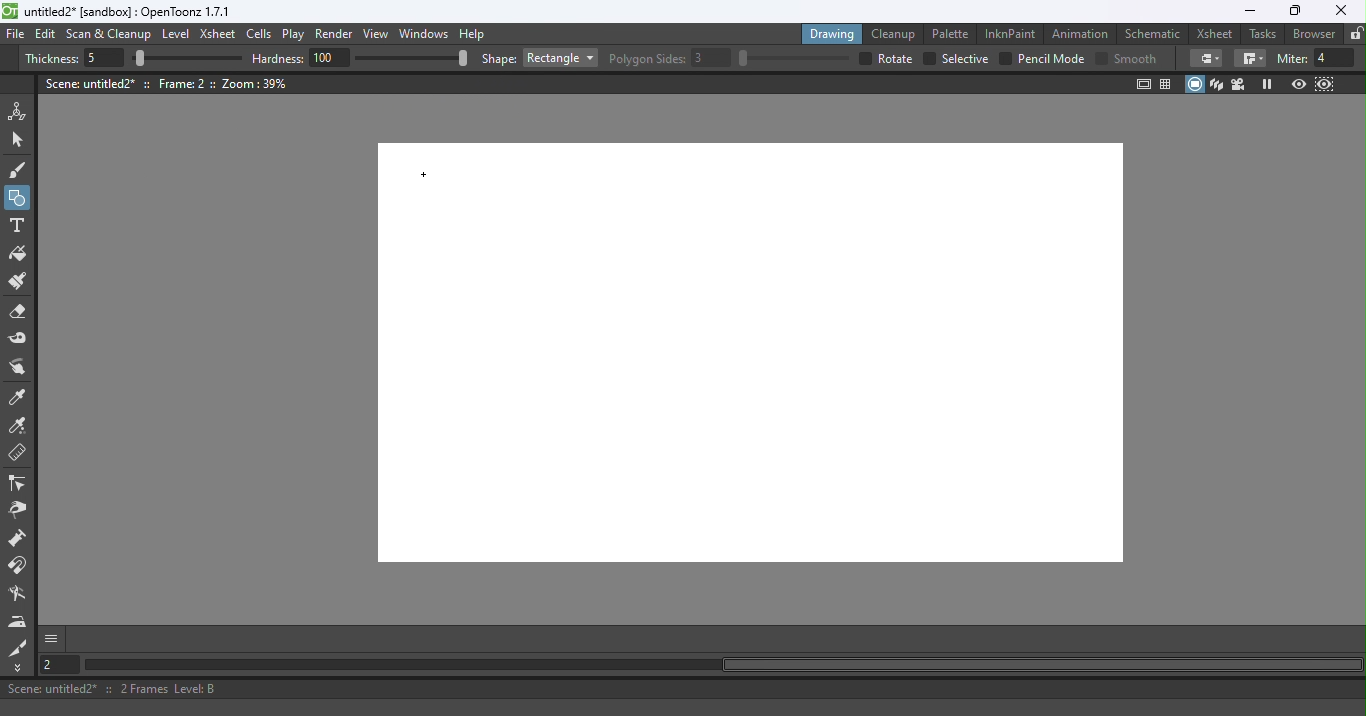  Describe the element at coordinates (169, 83) in the screenshot. I see `Canvas details` at that location.